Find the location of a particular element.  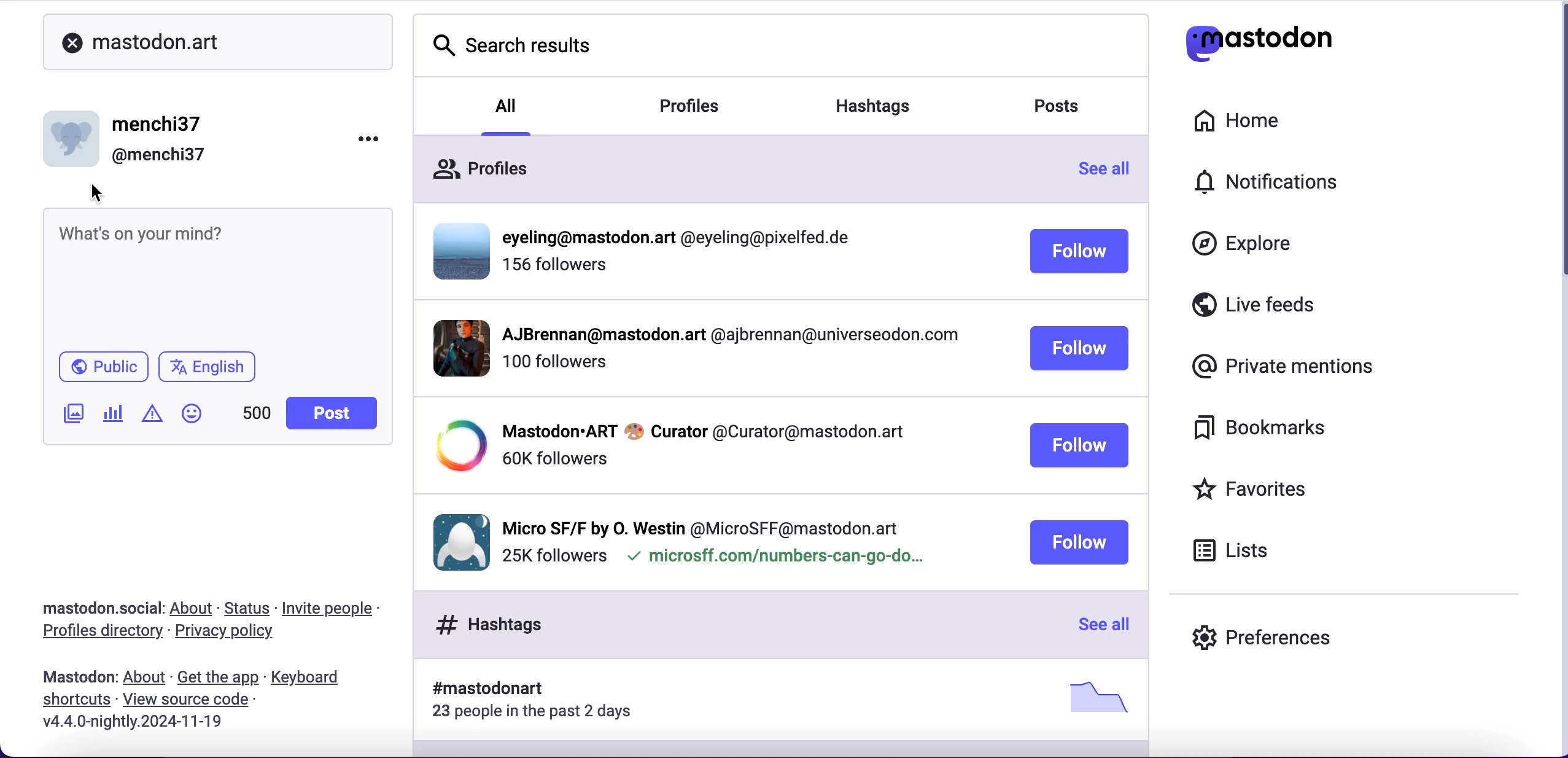

post what's on your mind is located at coordinates (217, 275).